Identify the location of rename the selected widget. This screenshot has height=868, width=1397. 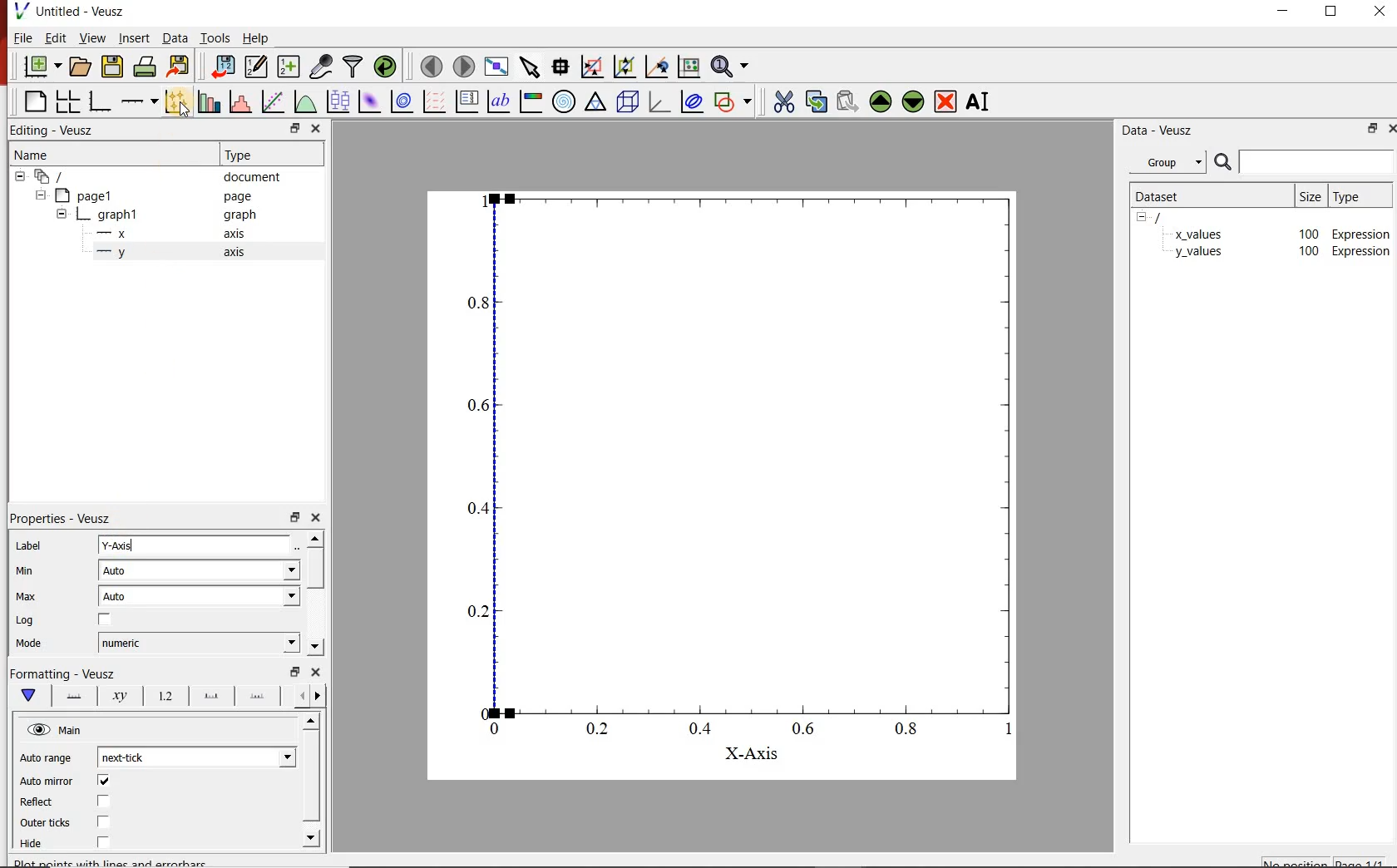
(980, 104).